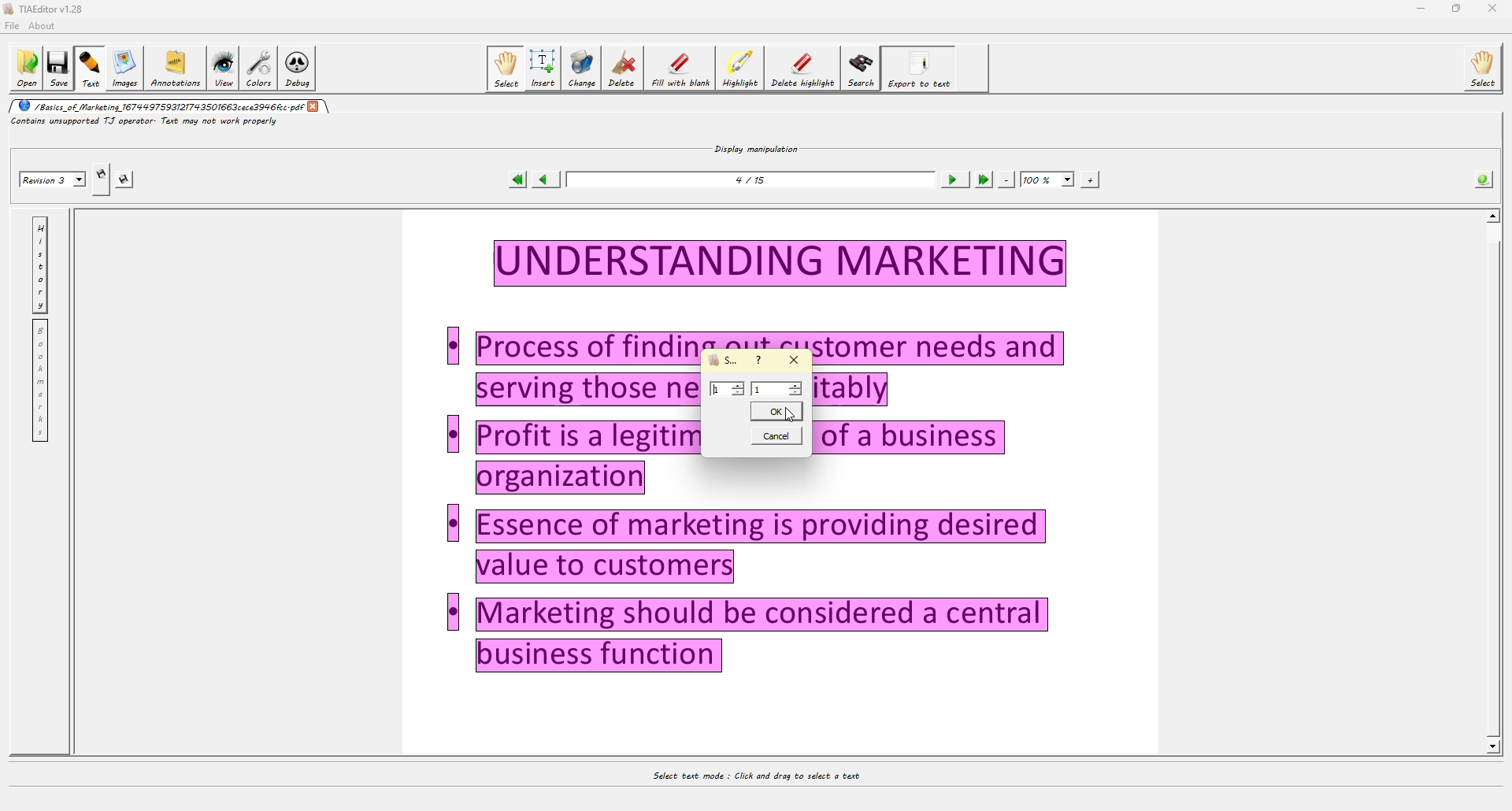 Image resolution: width=1512 pixels, height=811 pixels. What do you see at coordinates (518, 180) in the screenshot?
I see `first page` at bounding box center [518, 180].